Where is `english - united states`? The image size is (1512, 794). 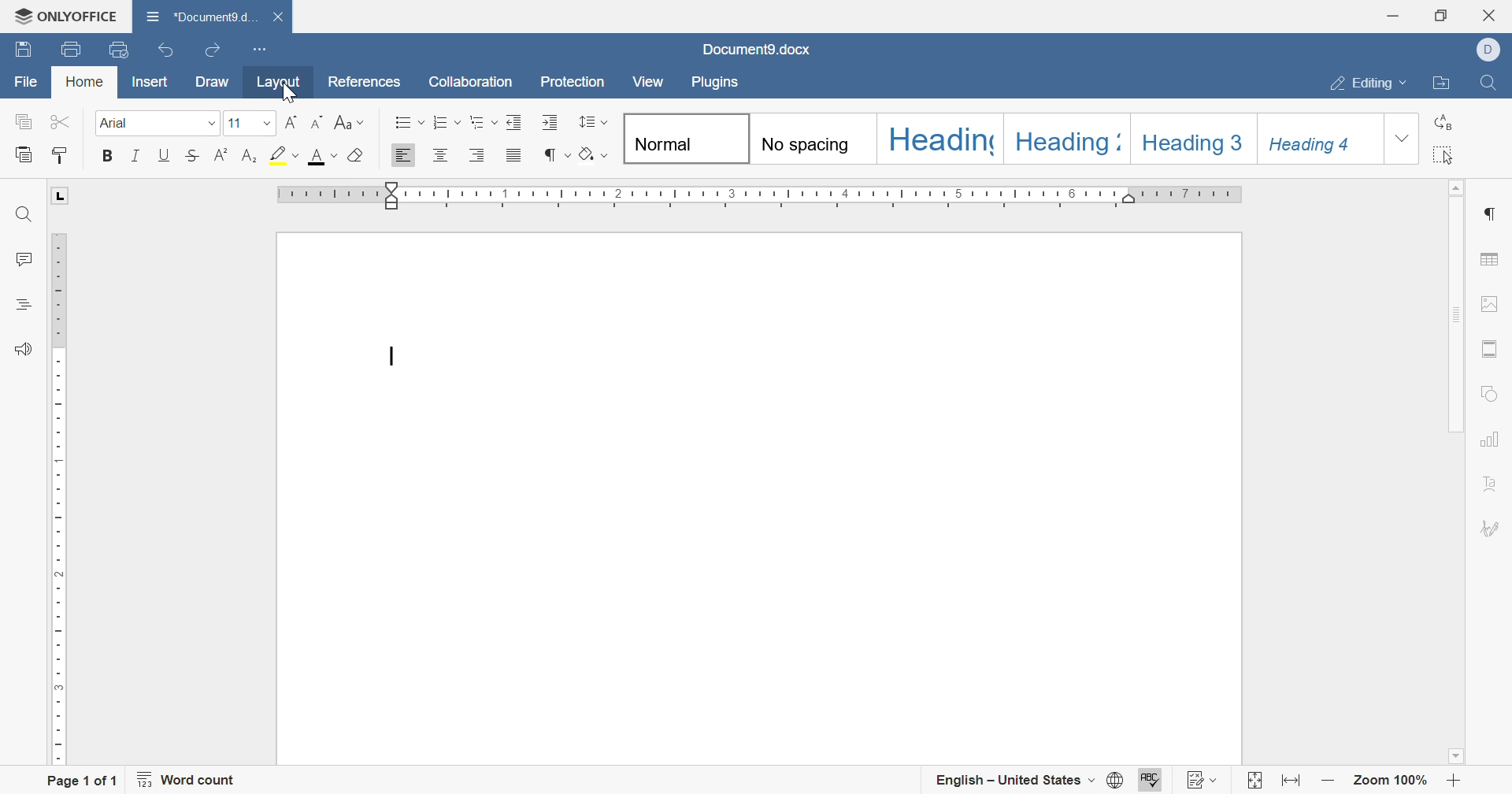 english - united states is located at coordinates (1014, 781).